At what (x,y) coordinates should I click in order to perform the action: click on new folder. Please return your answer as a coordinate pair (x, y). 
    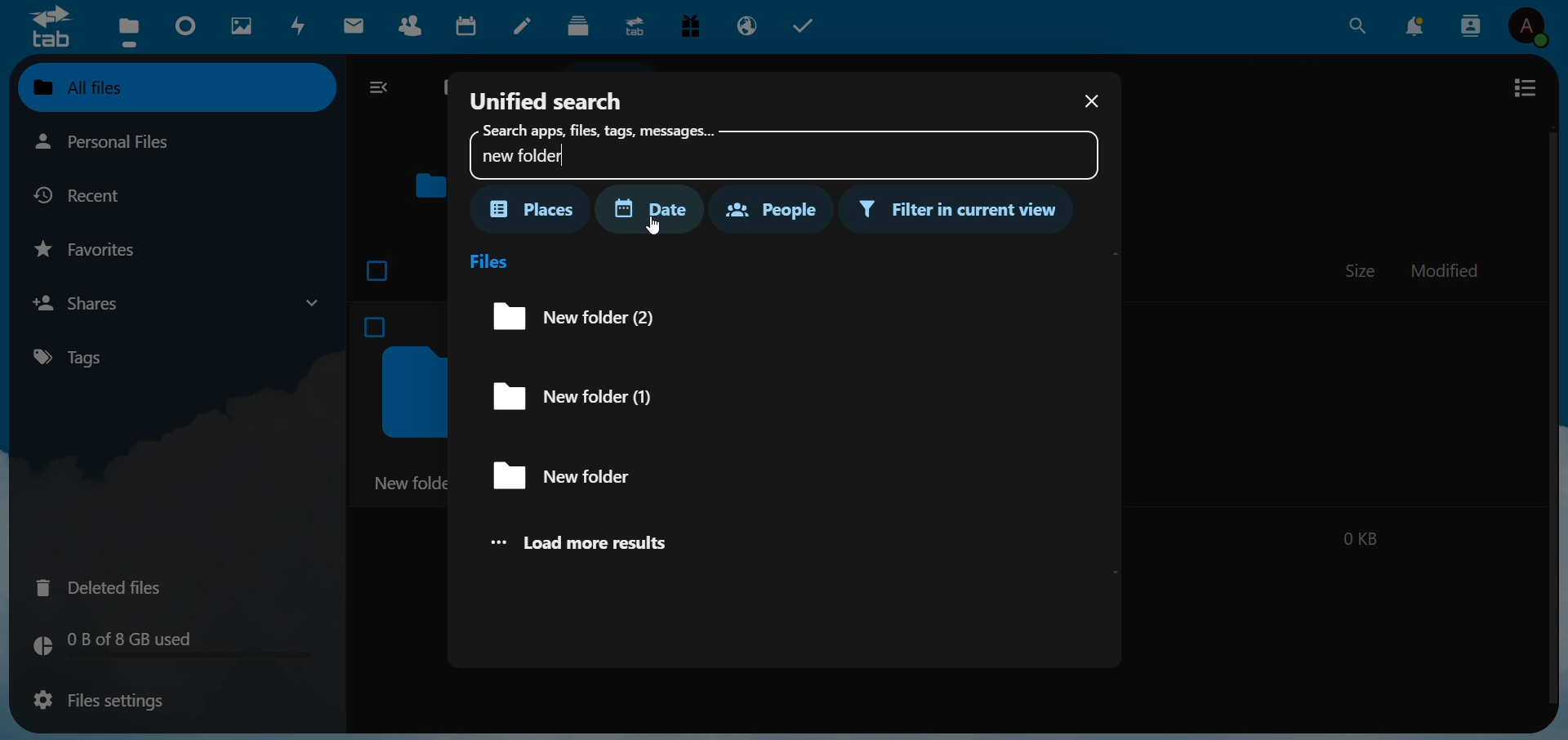
    Looking at the image, I should click on (580, 475).